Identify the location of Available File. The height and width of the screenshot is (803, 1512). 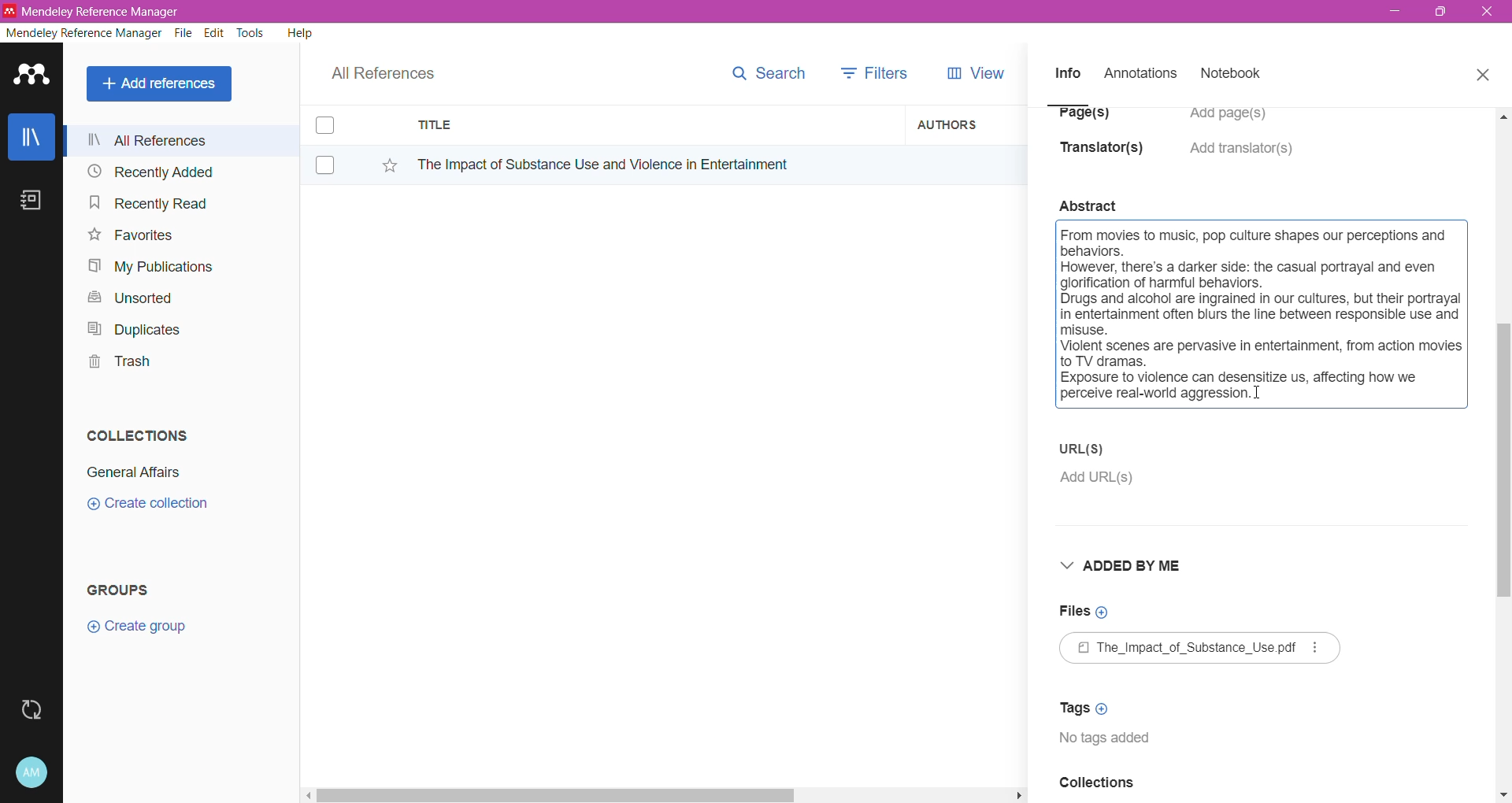
(1203, 649).